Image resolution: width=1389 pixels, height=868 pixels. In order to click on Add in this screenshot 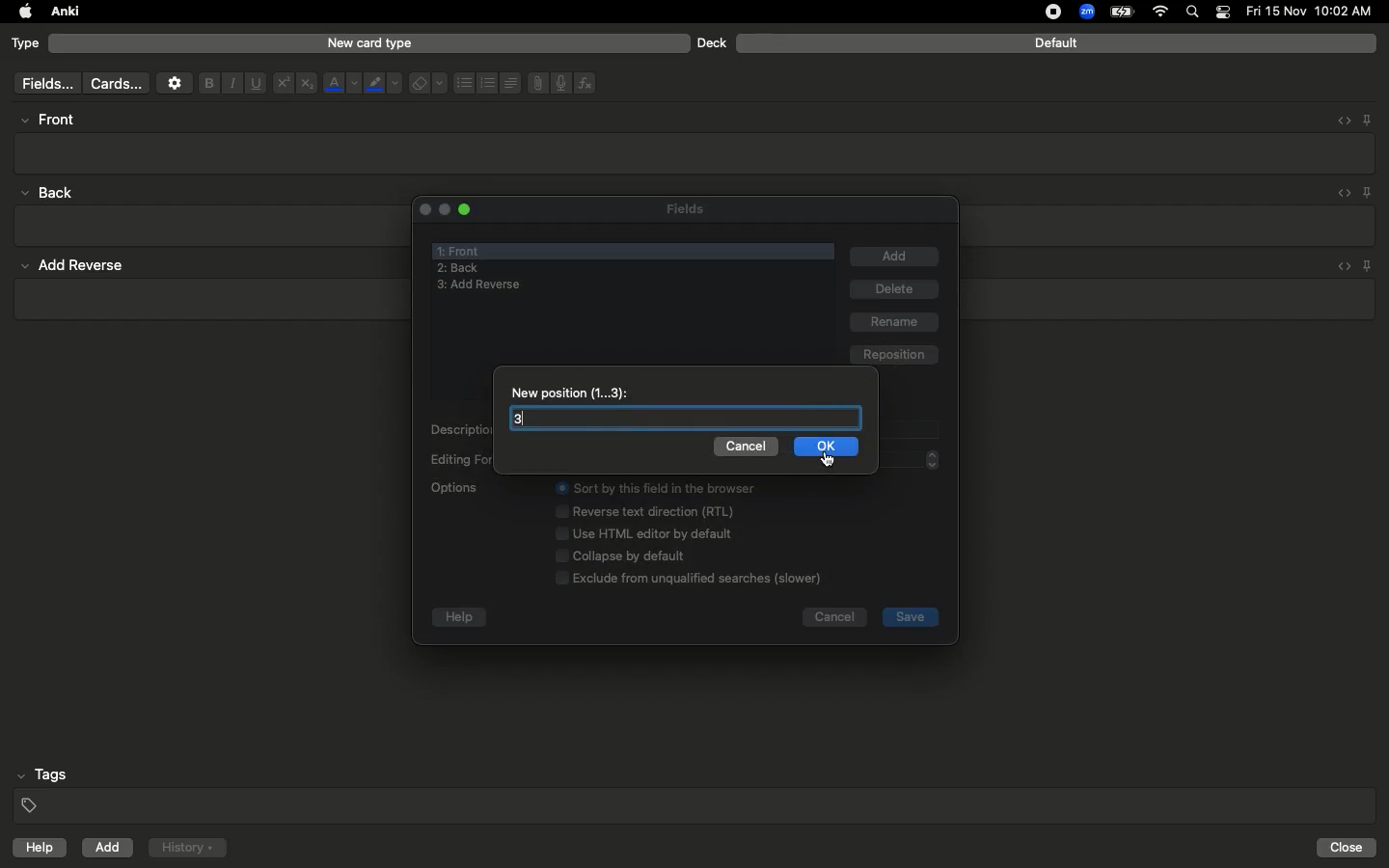, I will do `click(895, 257)`.